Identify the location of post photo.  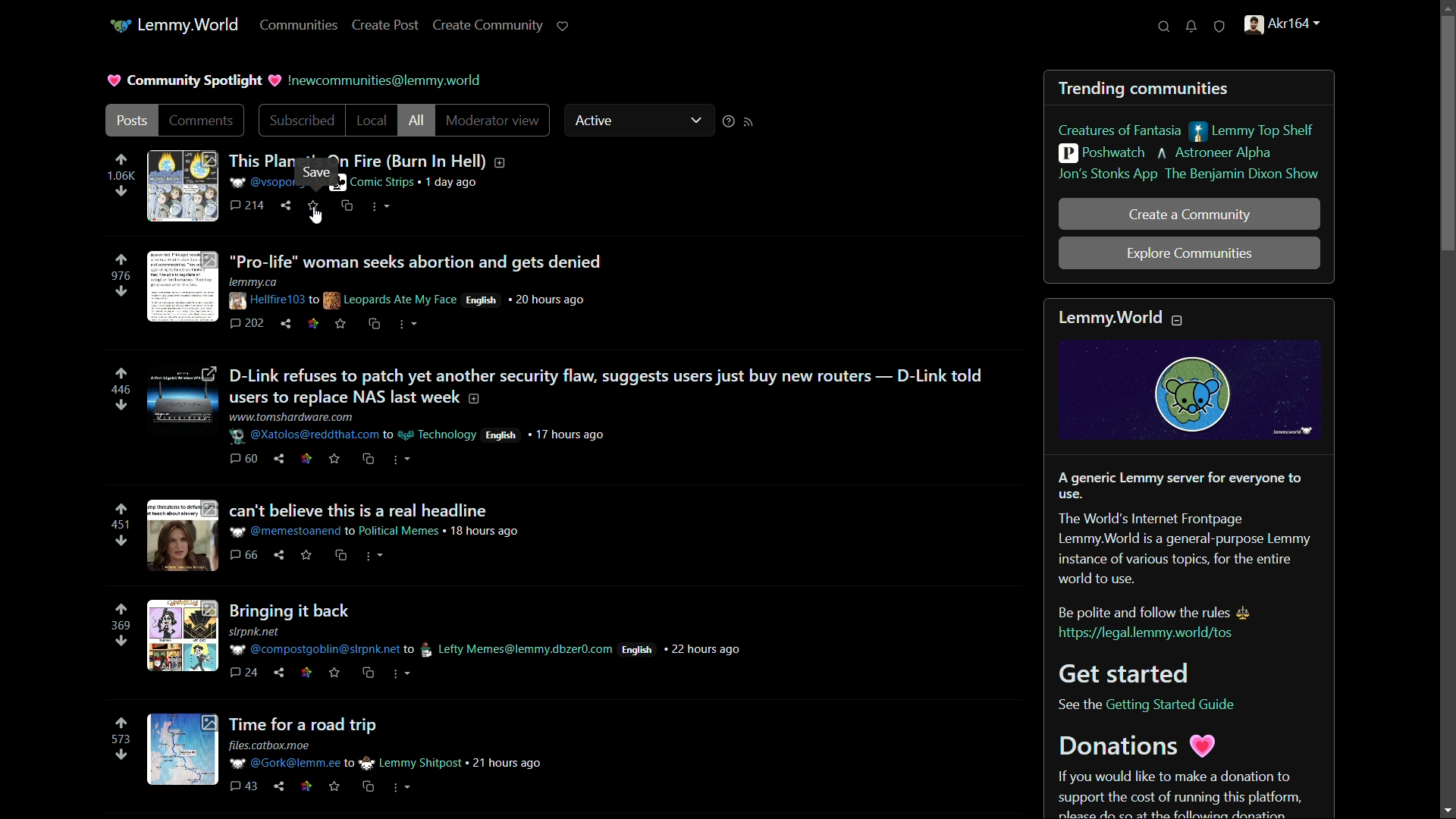
(181, 187).